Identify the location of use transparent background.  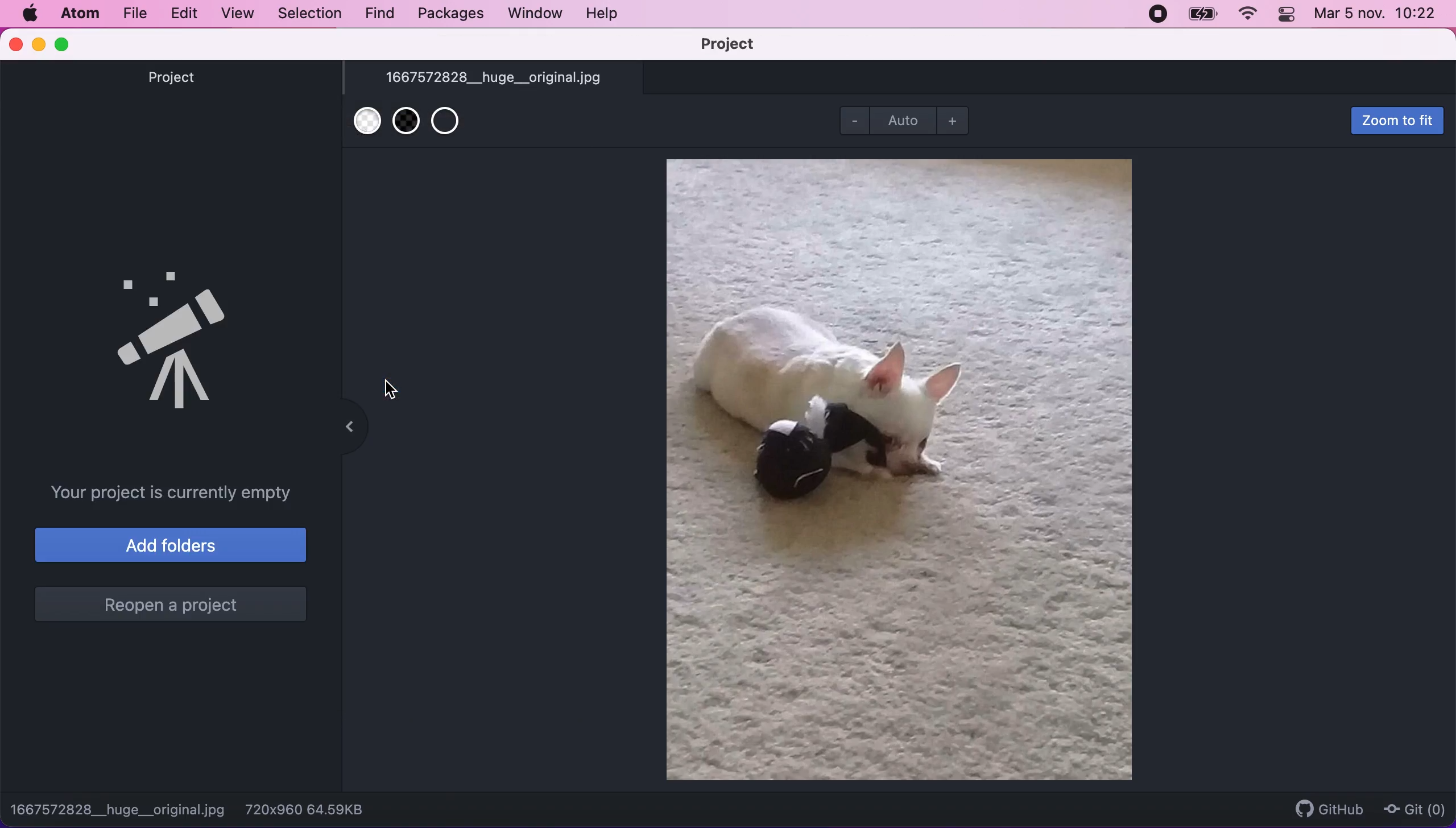
(452, 125).